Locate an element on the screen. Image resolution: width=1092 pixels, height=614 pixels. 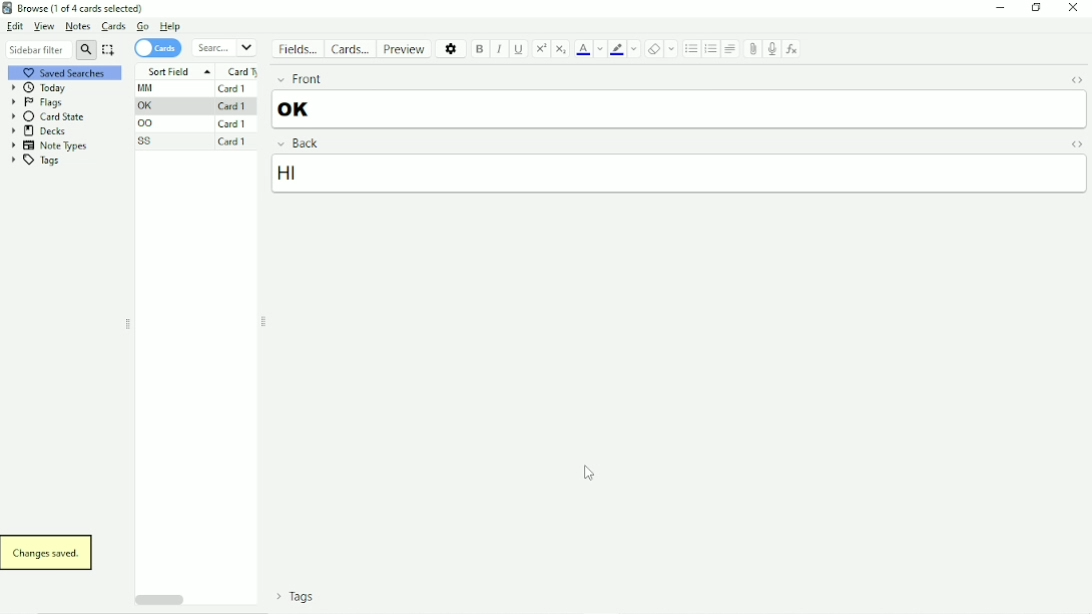
Horizontal scrollbar is located at coordinates (158, 600).